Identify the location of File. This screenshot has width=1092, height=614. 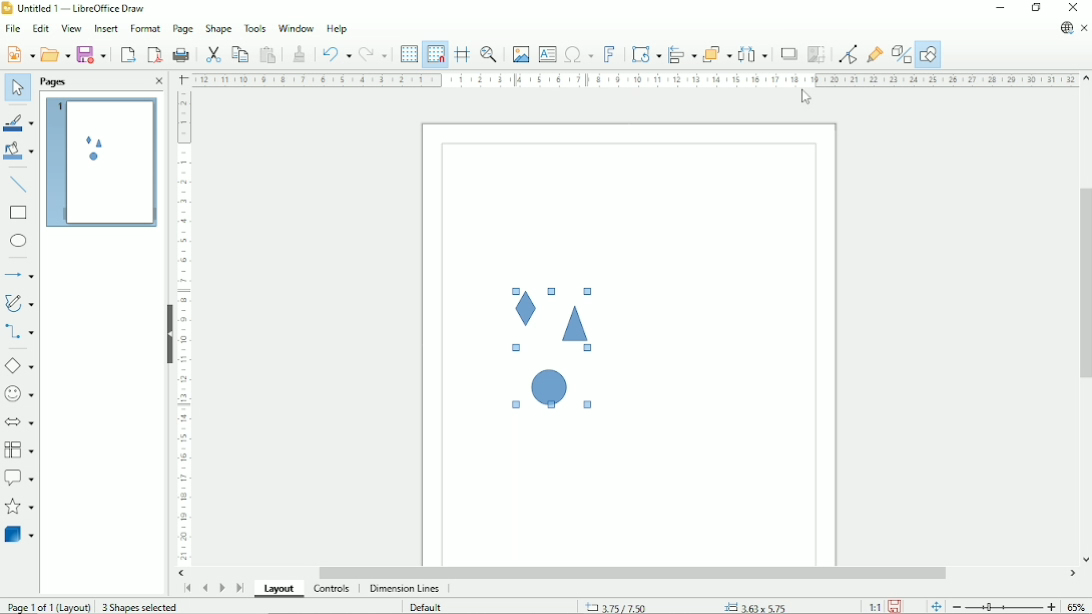
(12, 28).